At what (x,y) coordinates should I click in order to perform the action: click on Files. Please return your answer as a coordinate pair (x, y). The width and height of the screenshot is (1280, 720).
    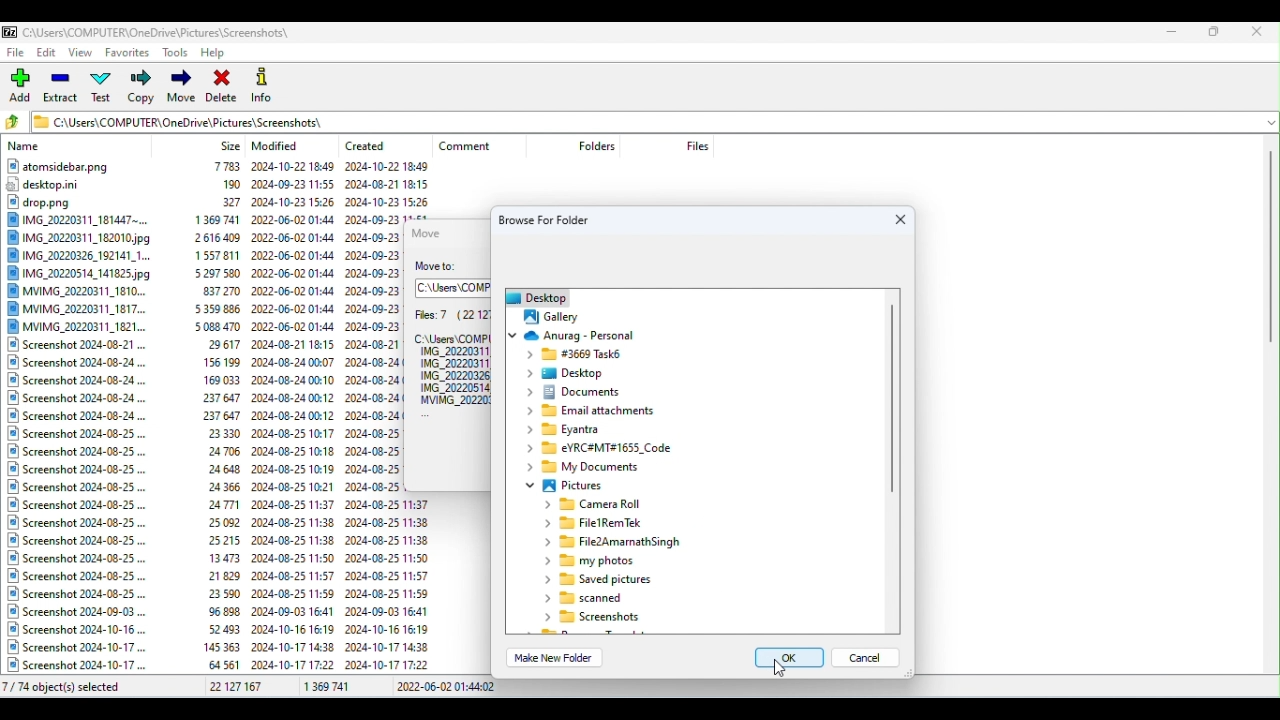
    Looking at the image, I should click on (697, 145).